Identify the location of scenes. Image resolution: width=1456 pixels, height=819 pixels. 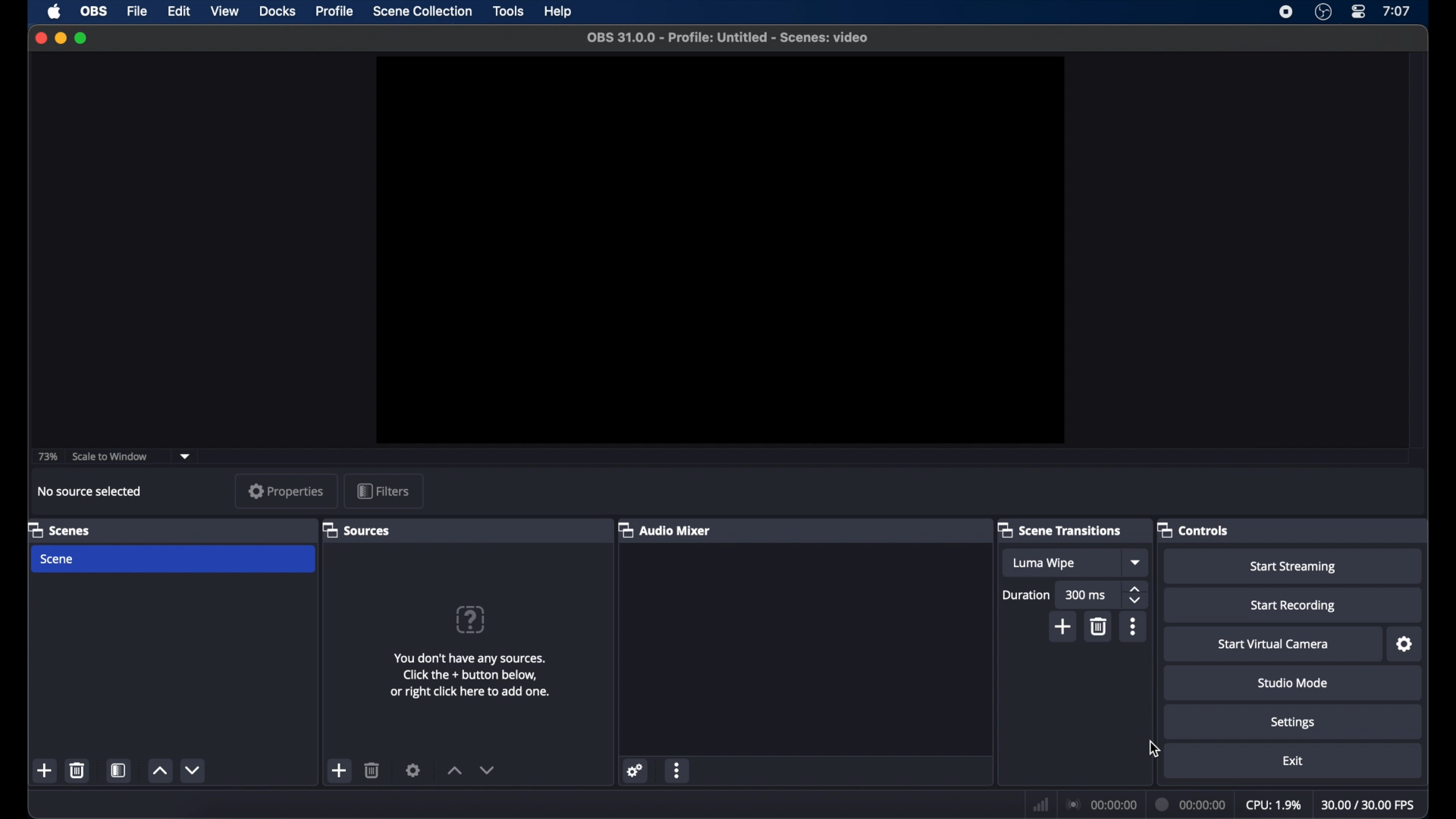
(58, 530).